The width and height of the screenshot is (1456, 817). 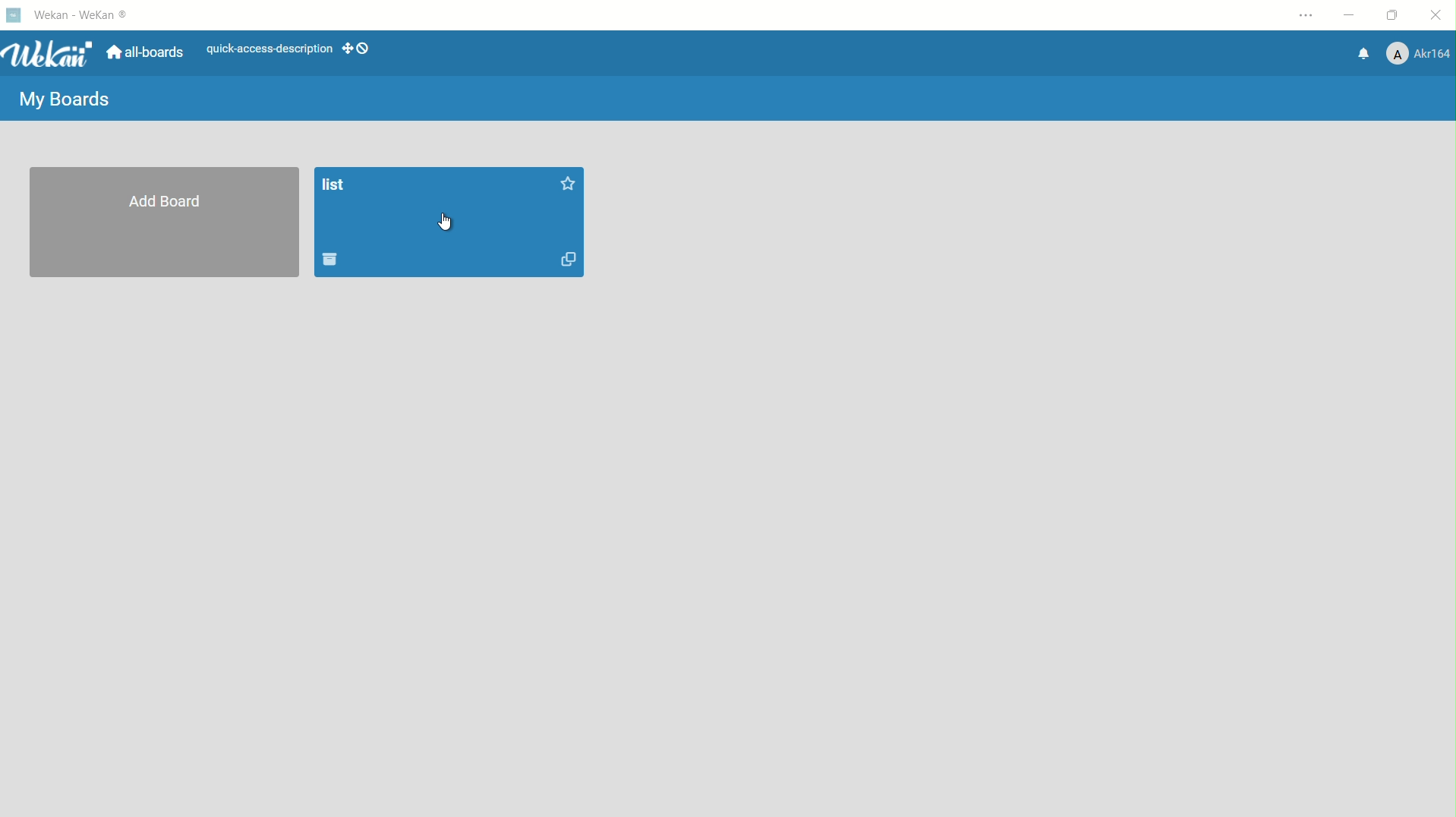 What do you see at coordinates (148, 51) in the screenshot?
I see `all boards` at bounding box center [148, 51].